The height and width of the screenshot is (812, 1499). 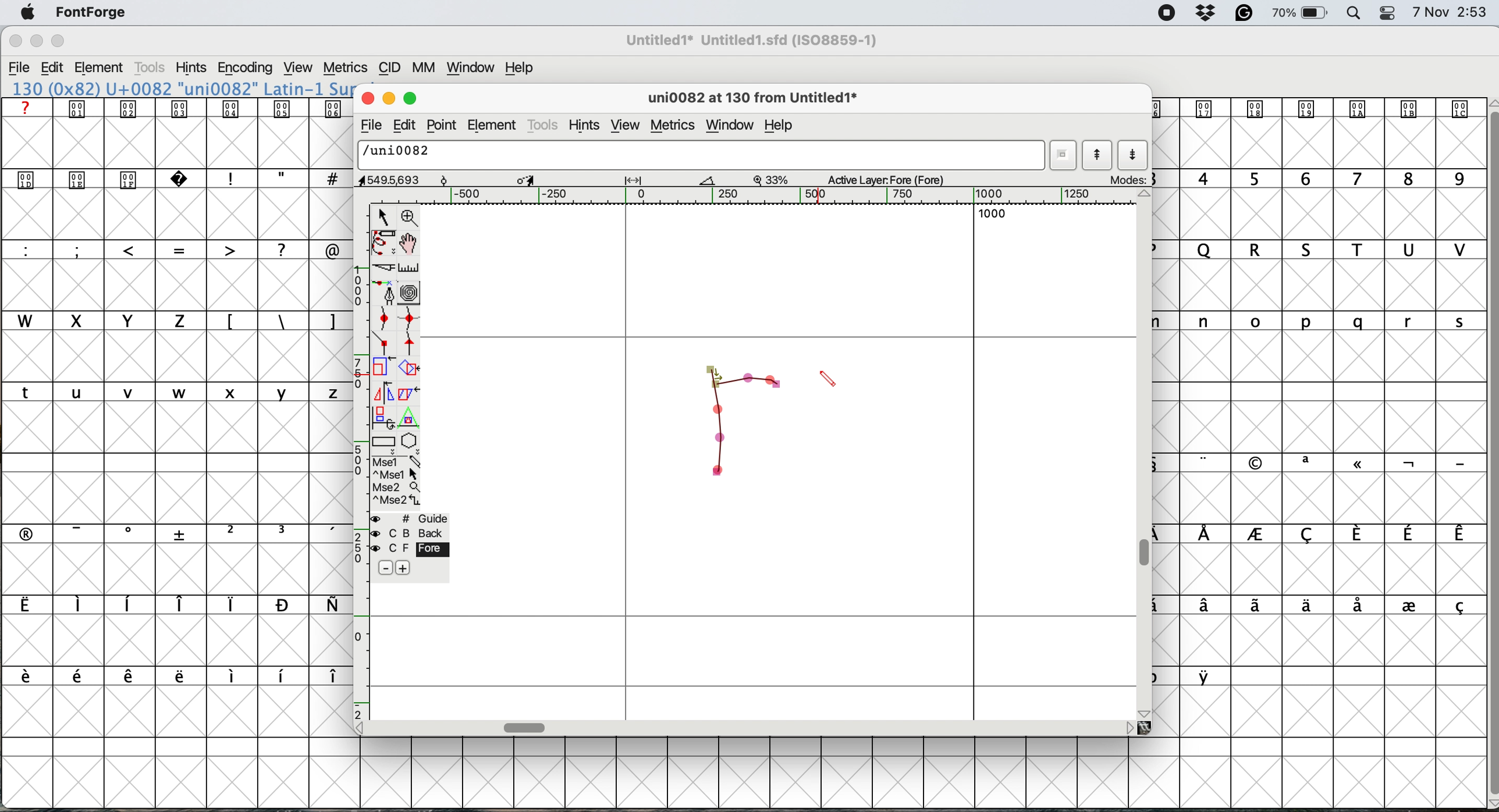 What do you see at coordinates (526, 725) in the screenshot?
I see `horizontal scale` at bounding box center [526, 725].